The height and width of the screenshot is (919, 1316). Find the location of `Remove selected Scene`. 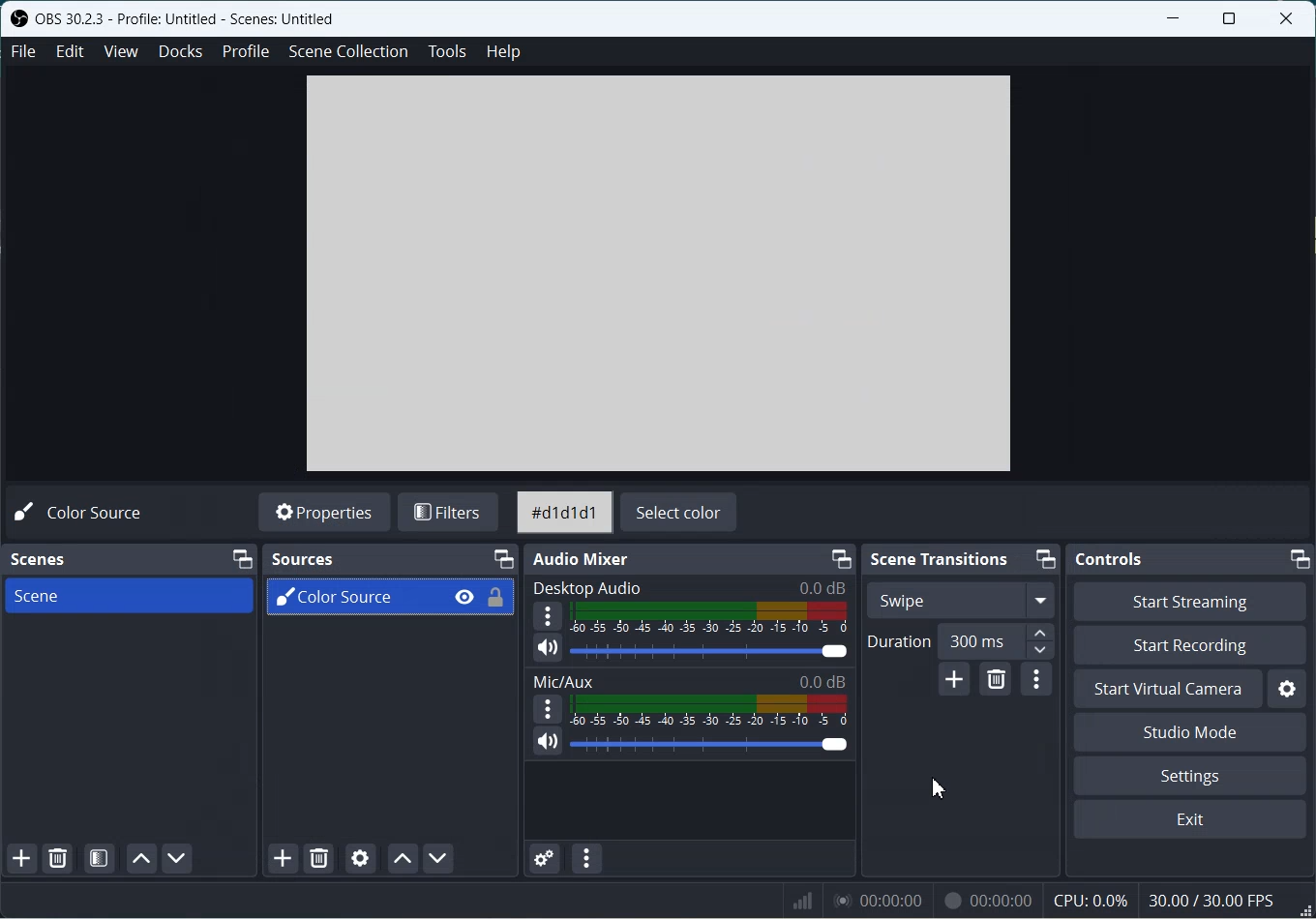

Remove selected Scene is located at coordinates (56, 859).